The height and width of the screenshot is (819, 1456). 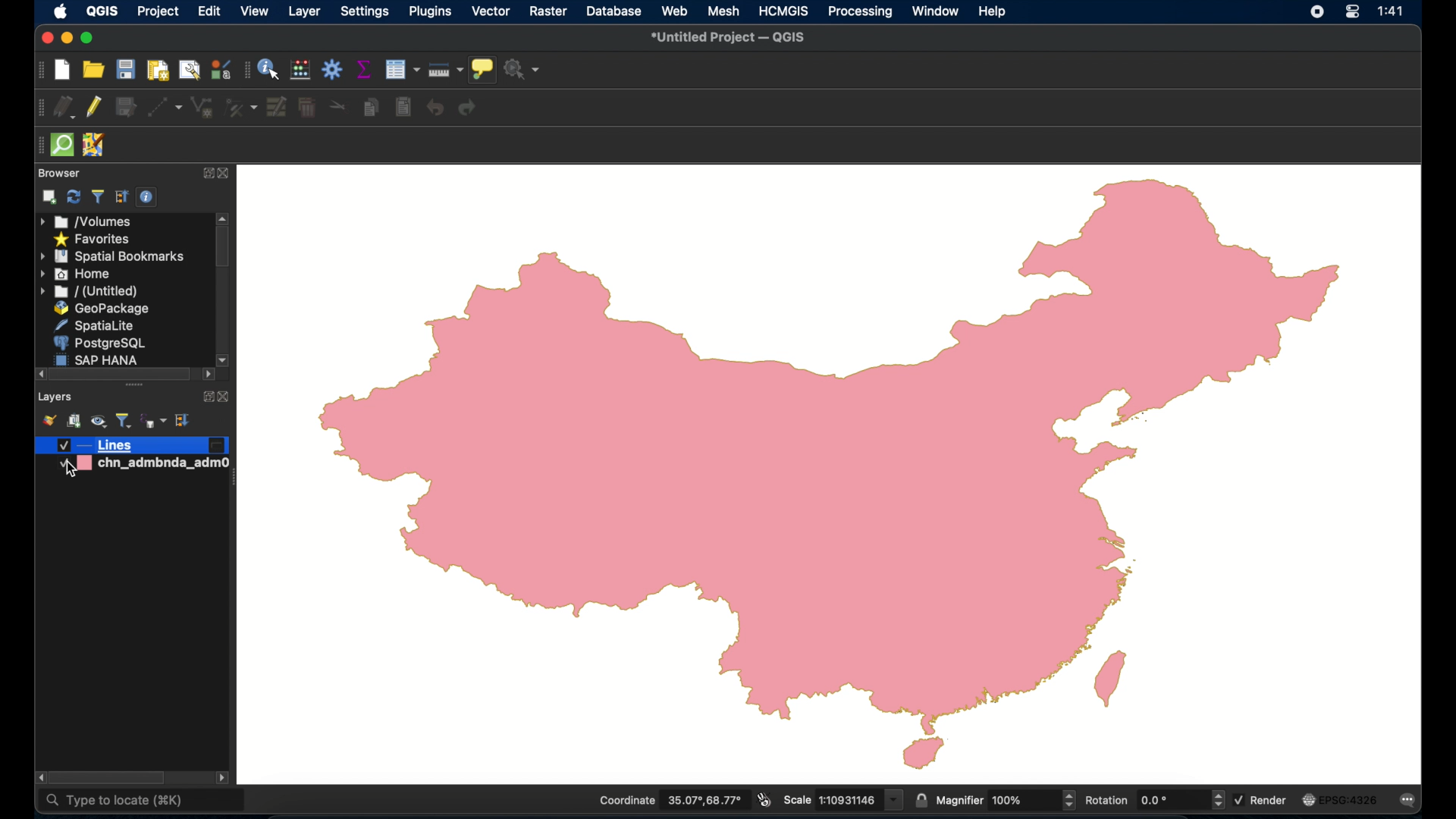 What do you see at coordinates (95, 145) in the screenshot?
I see `jsomremote` at bounding box center [95, 145].